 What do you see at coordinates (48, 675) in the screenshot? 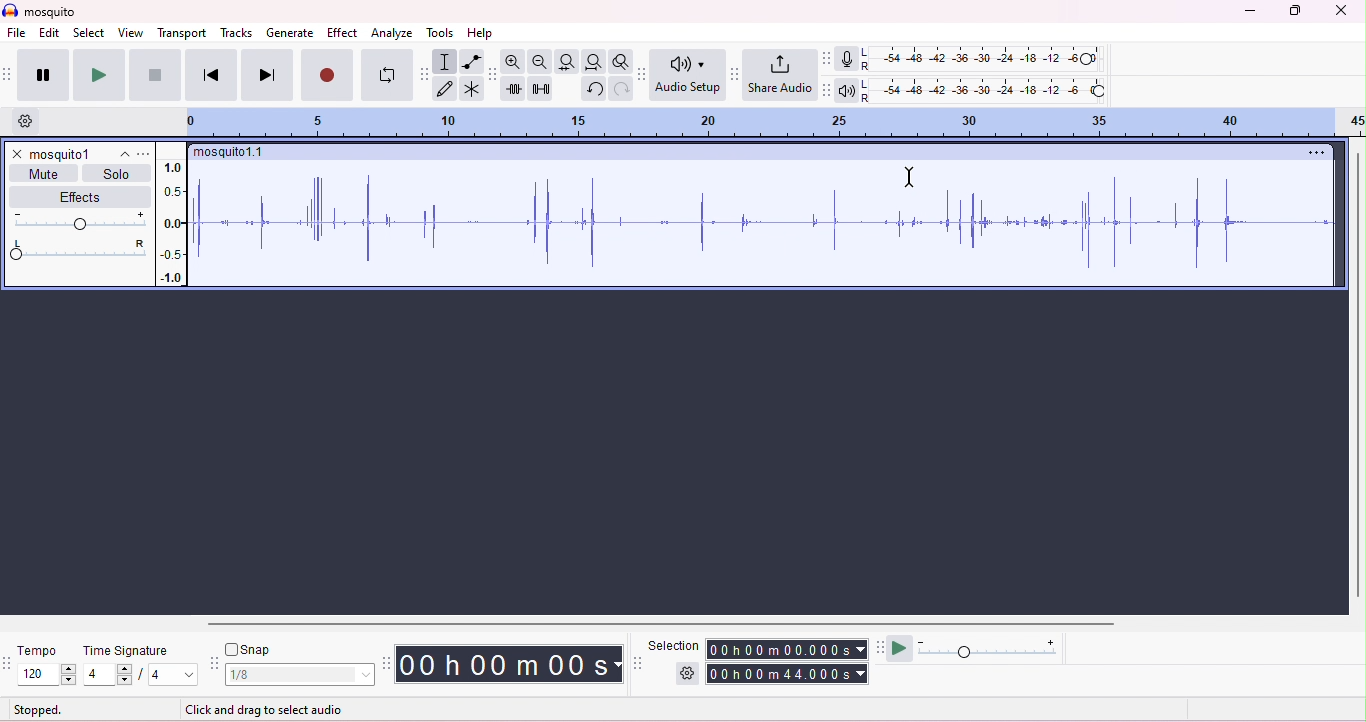
I see `select tempo` at bounding box center [48, 675].